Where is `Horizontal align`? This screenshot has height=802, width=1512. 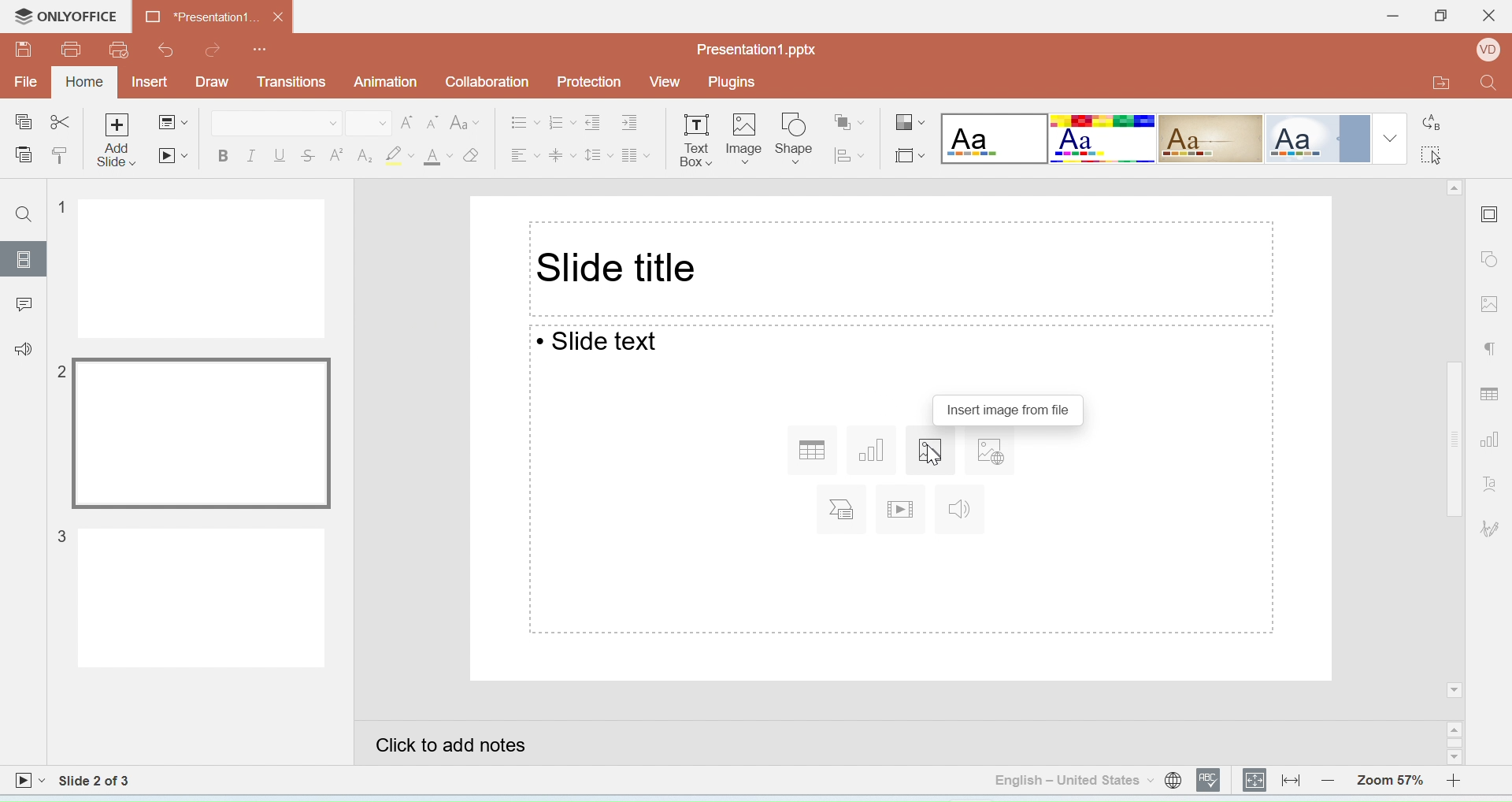 Horizontal align is located at coordinates (524, 152).